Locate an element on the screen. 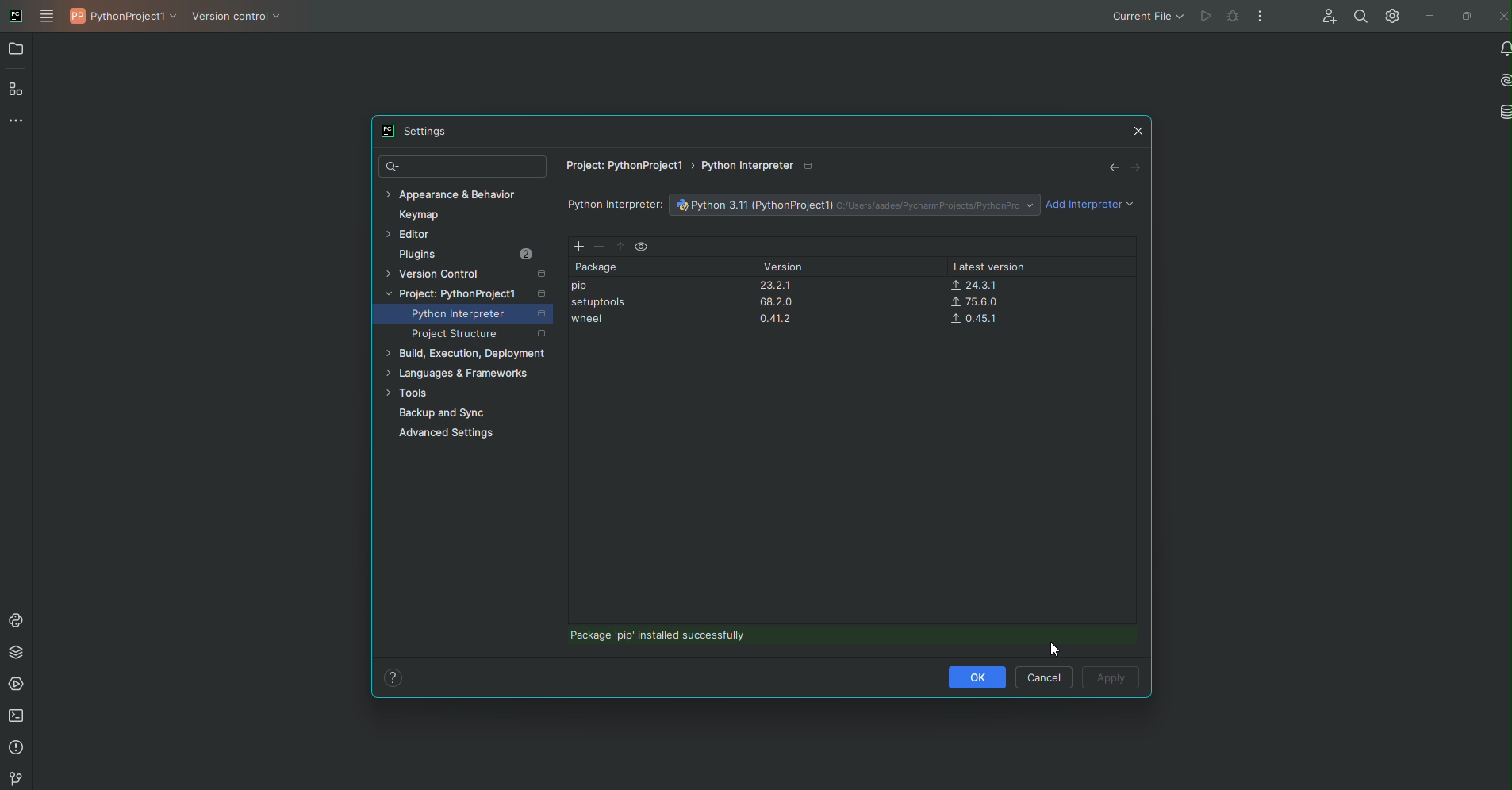 This screenshot has width=1512, height=790. Database is located at coordinates (1502, 110).